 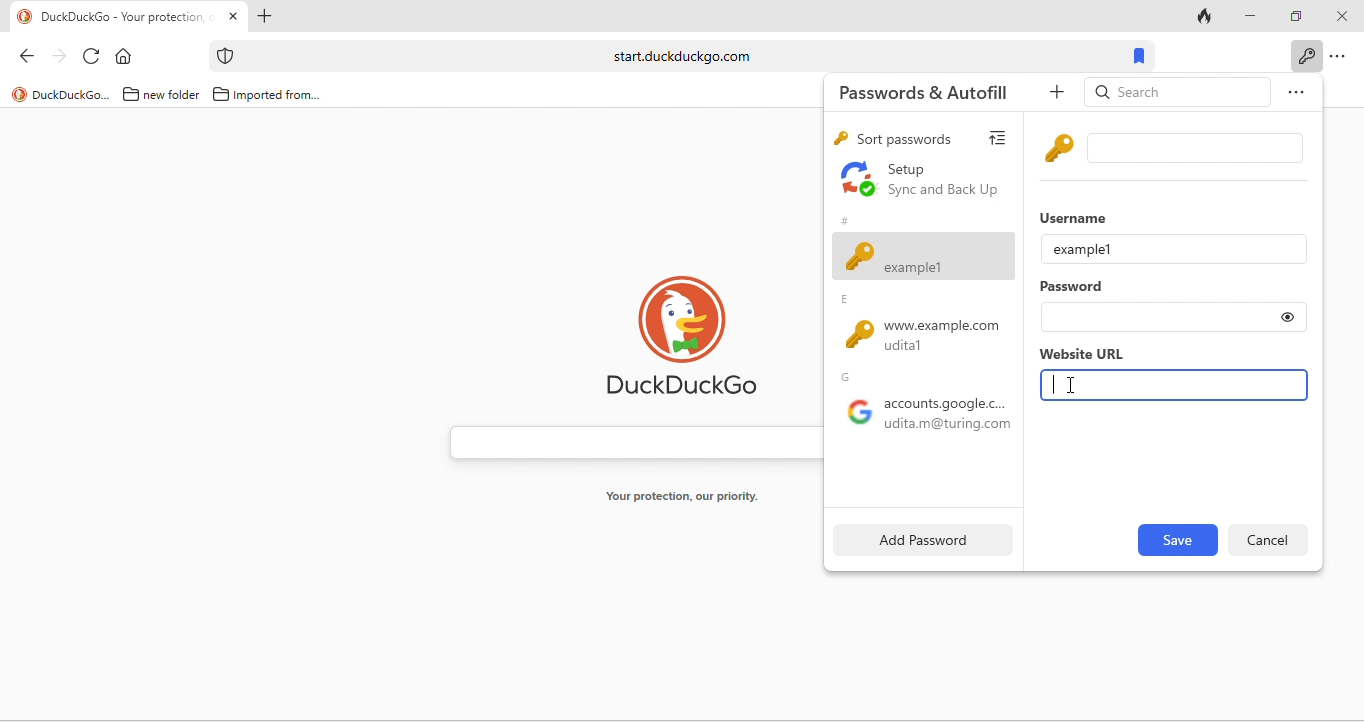 I want to click on add new tab, so click(x=267, y=16).